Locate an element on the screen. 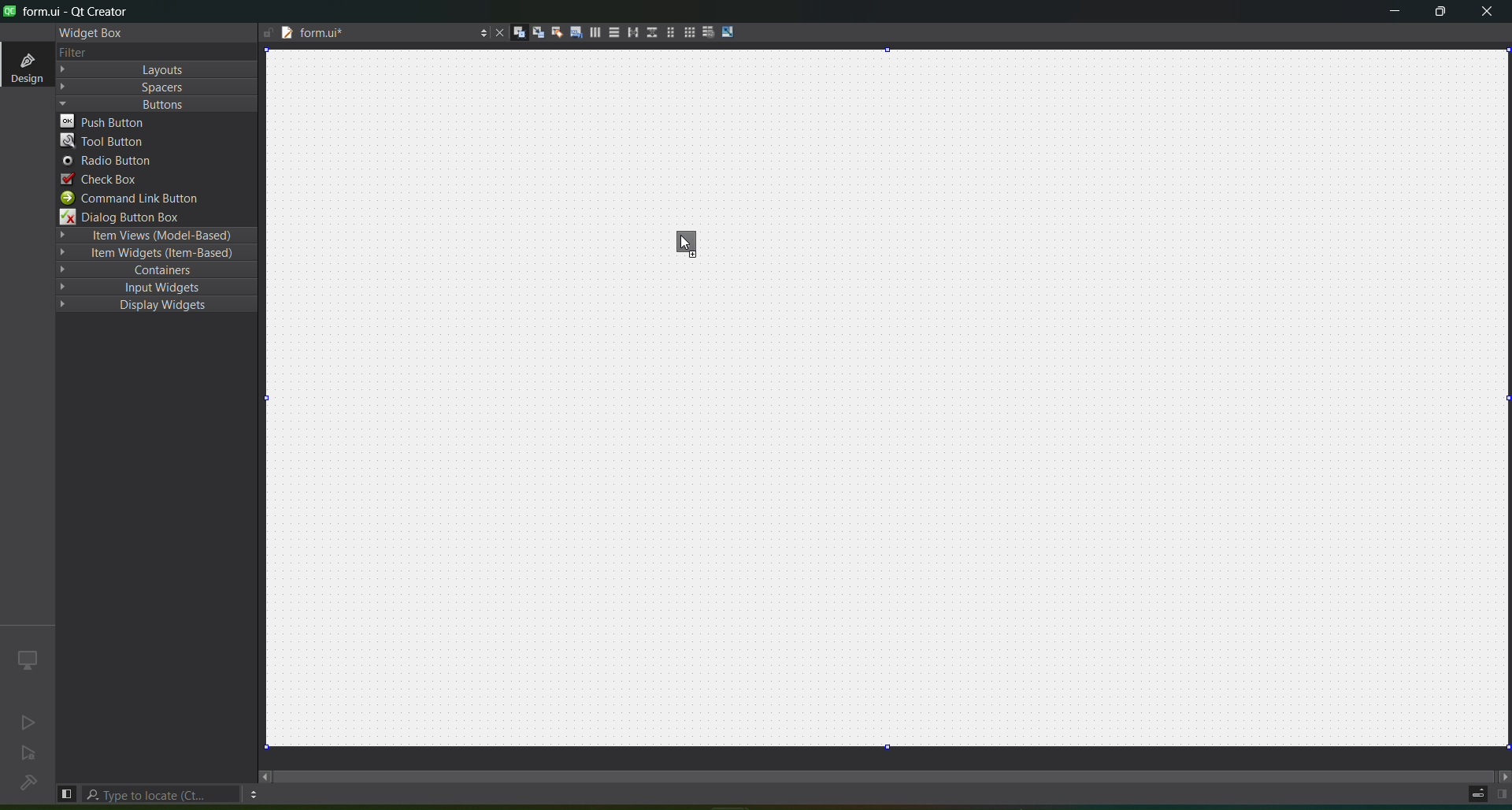 The height and width of the screenshot is (810, 1512). push button is located at coordinates (158, 121).